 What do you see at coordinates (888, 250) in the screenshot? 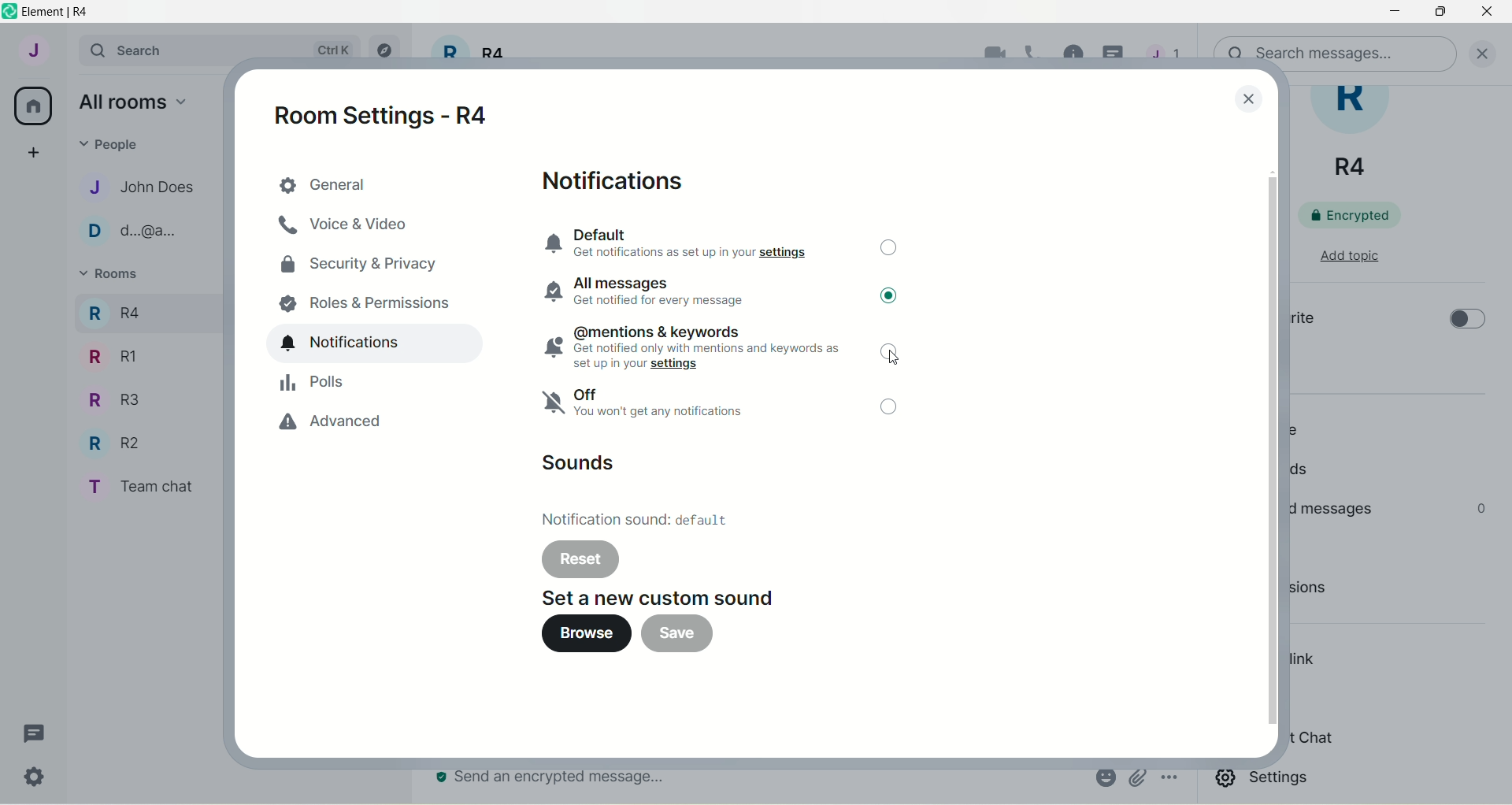
I see `toggle button` at bounding box center [888, 250].